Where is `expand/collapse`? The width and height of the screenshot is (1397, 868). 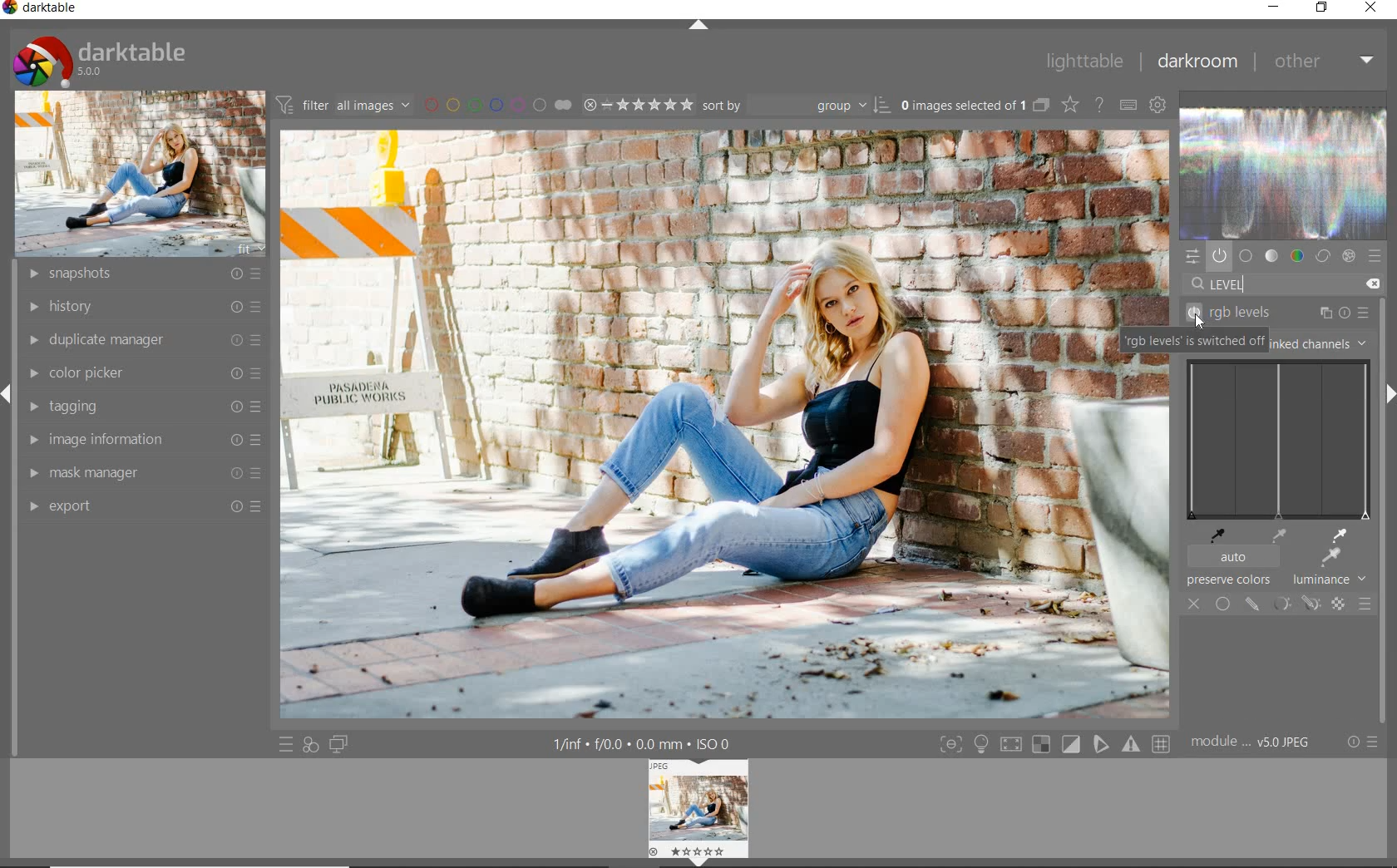
expand/collapse is located at coordinates (1390, 396).